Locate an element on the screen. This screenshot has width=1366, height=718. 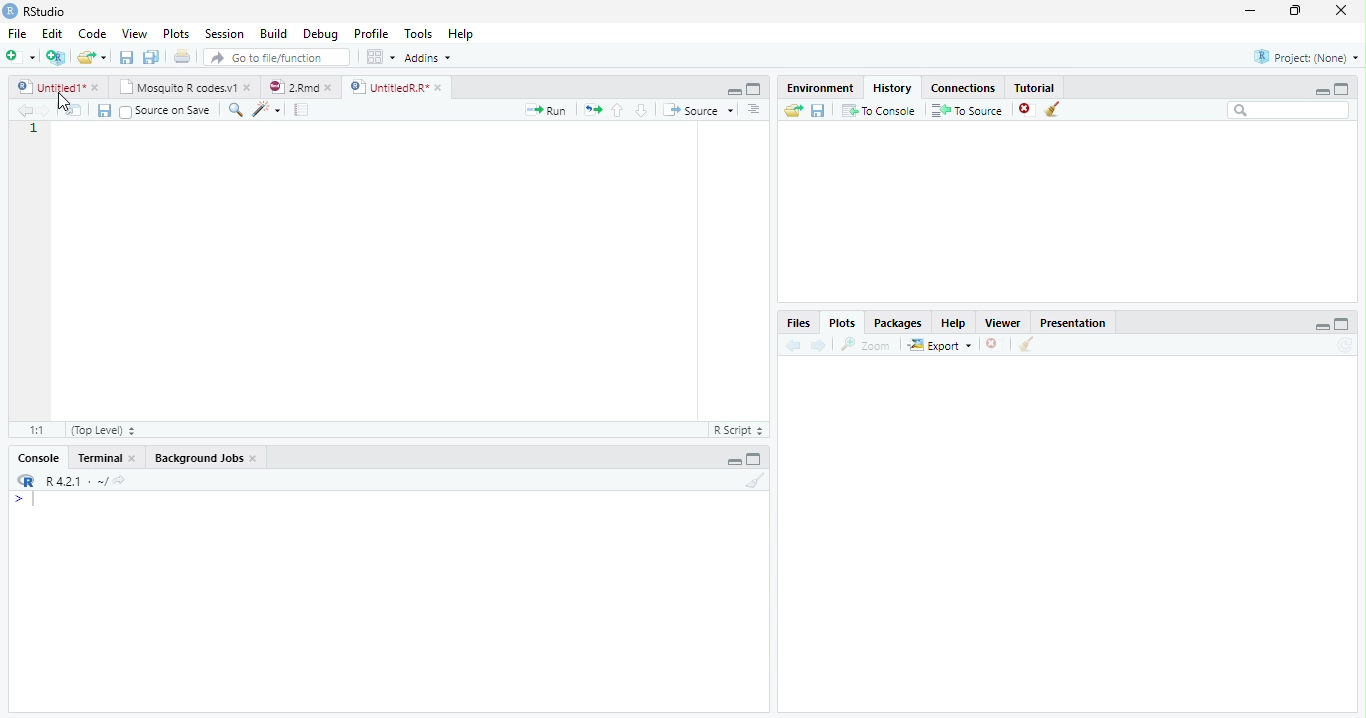
Debug is located at coordinates (320, 34).